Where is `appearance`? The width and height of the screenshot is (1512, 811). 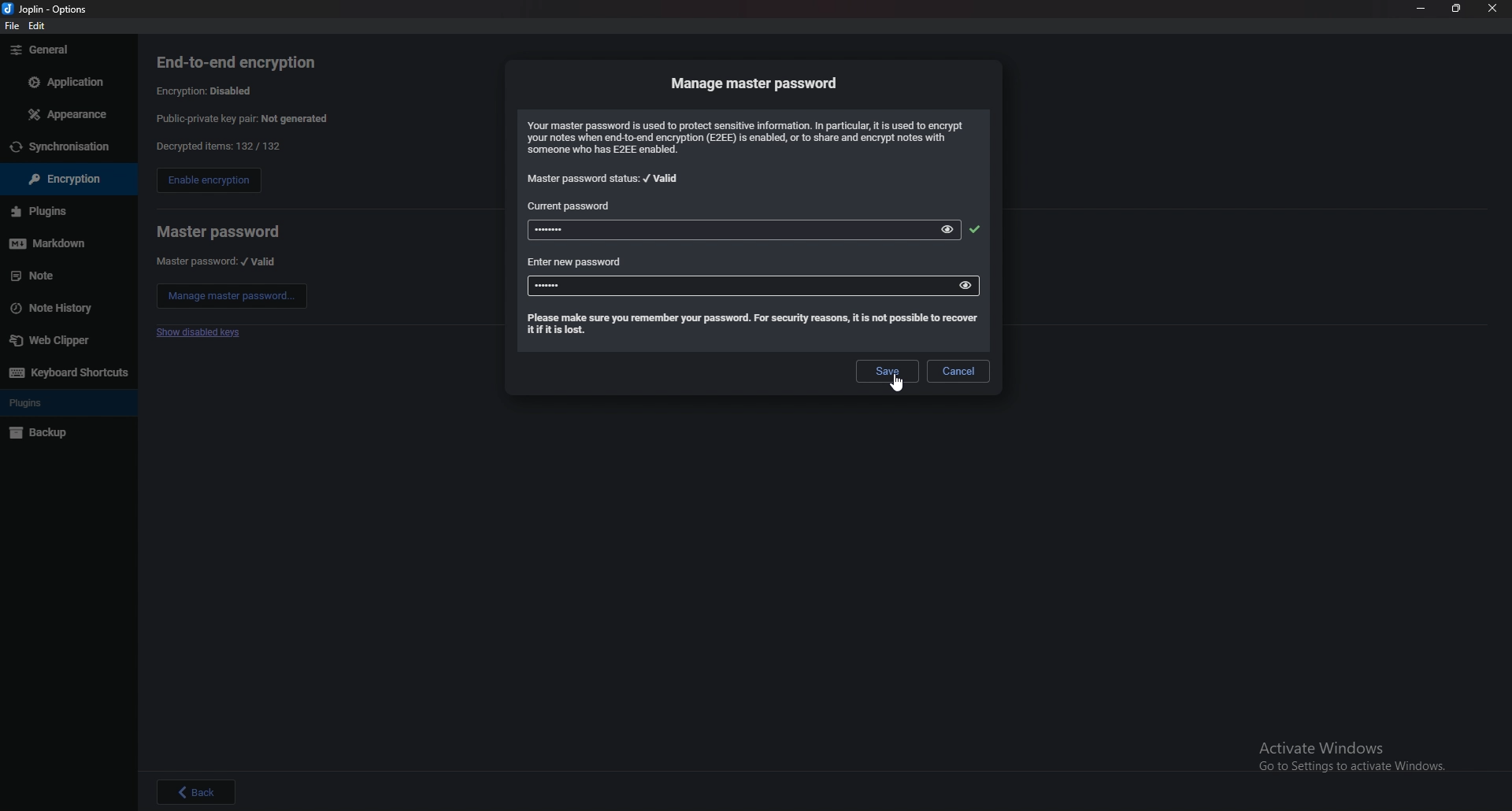 appearance is located at coordinates (65, 115).